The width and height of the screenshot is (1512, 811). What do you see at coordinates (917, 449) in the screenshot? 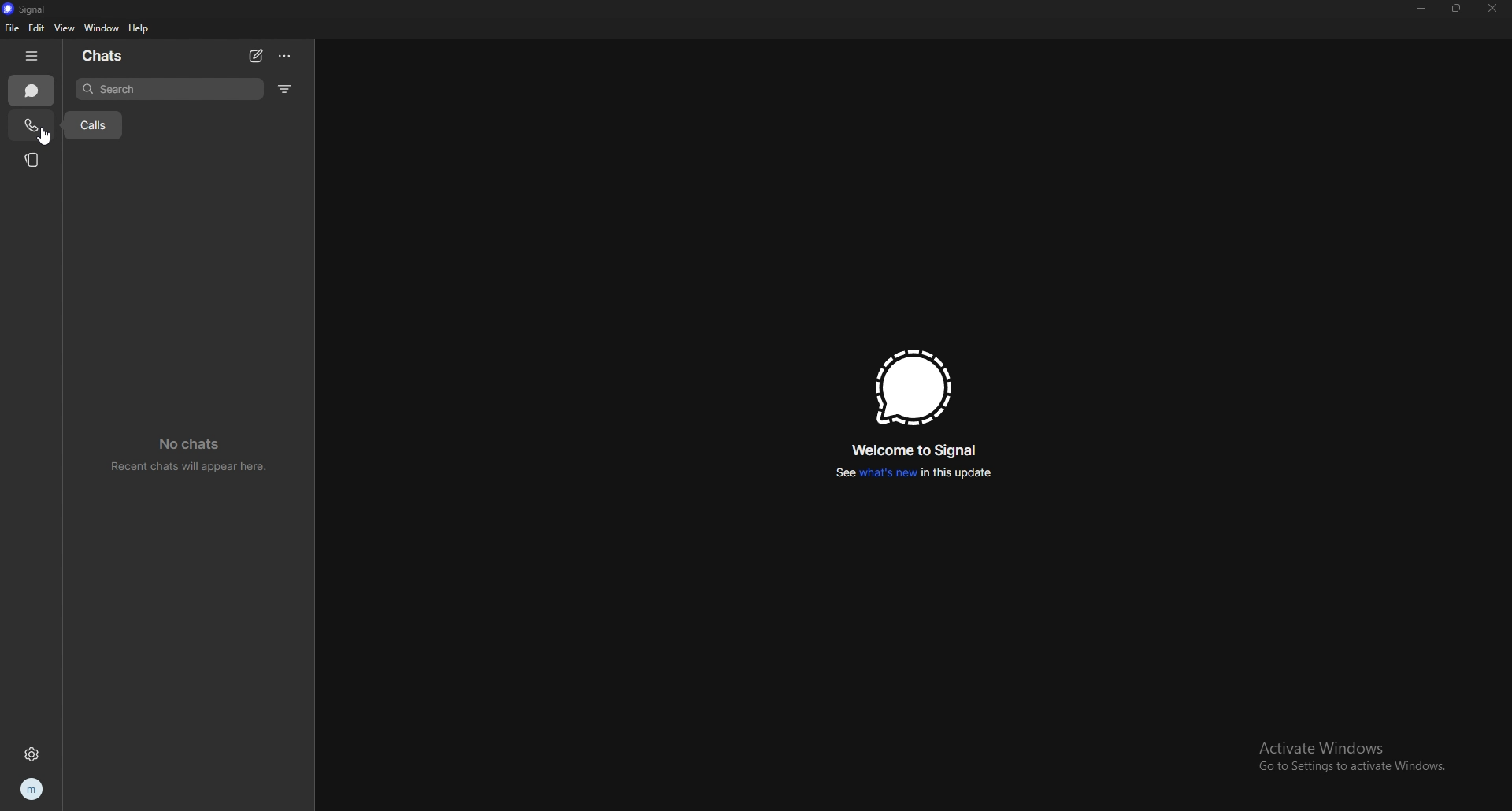
I see `welcome to signal` at bounding box center [917, 449].